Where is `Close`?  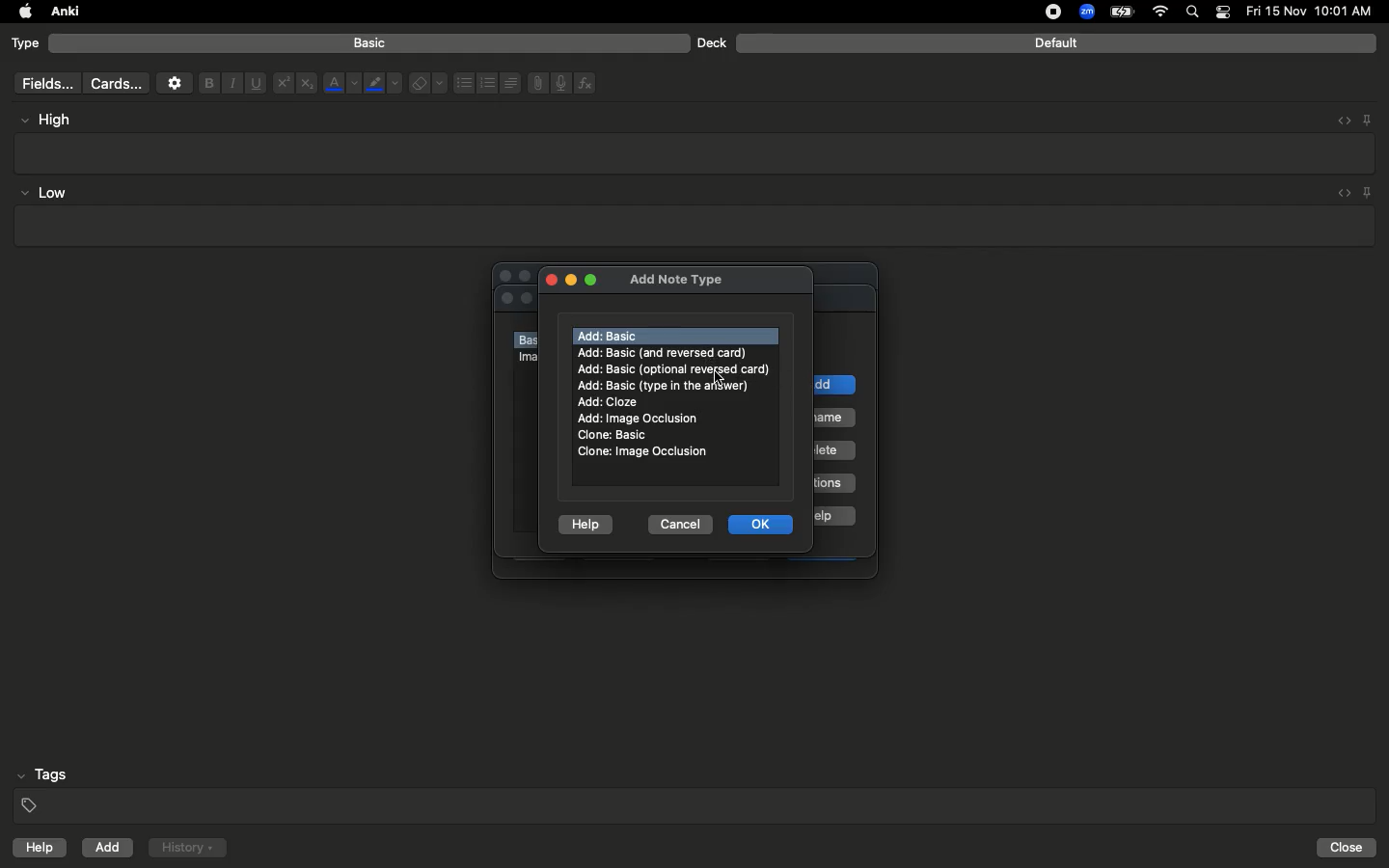 Close is located at coordinates (548, 278).